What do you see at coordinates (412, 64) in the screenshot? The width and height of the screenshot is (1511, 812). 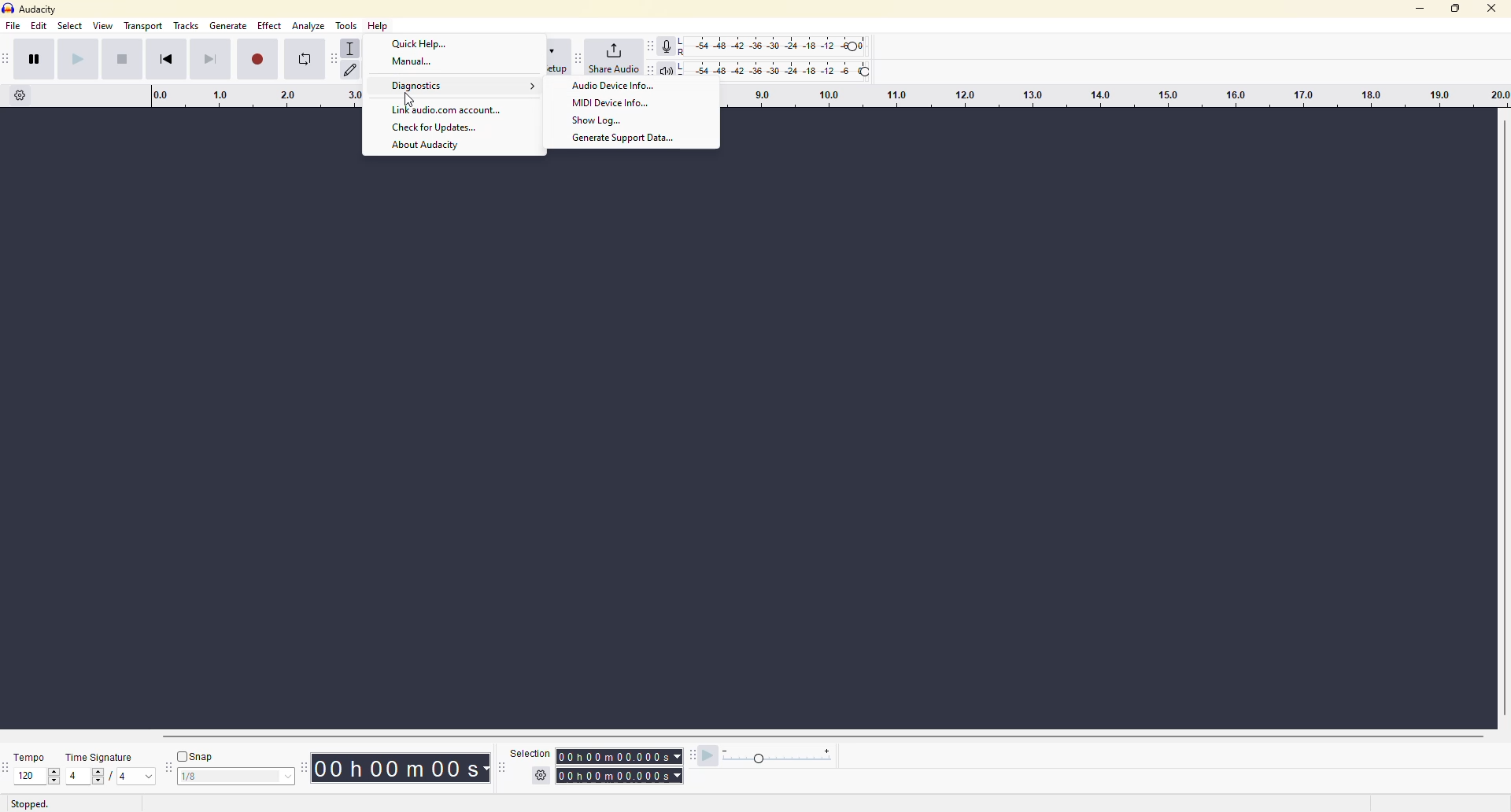 I see `Manual.` at bounding box center [412, 64].